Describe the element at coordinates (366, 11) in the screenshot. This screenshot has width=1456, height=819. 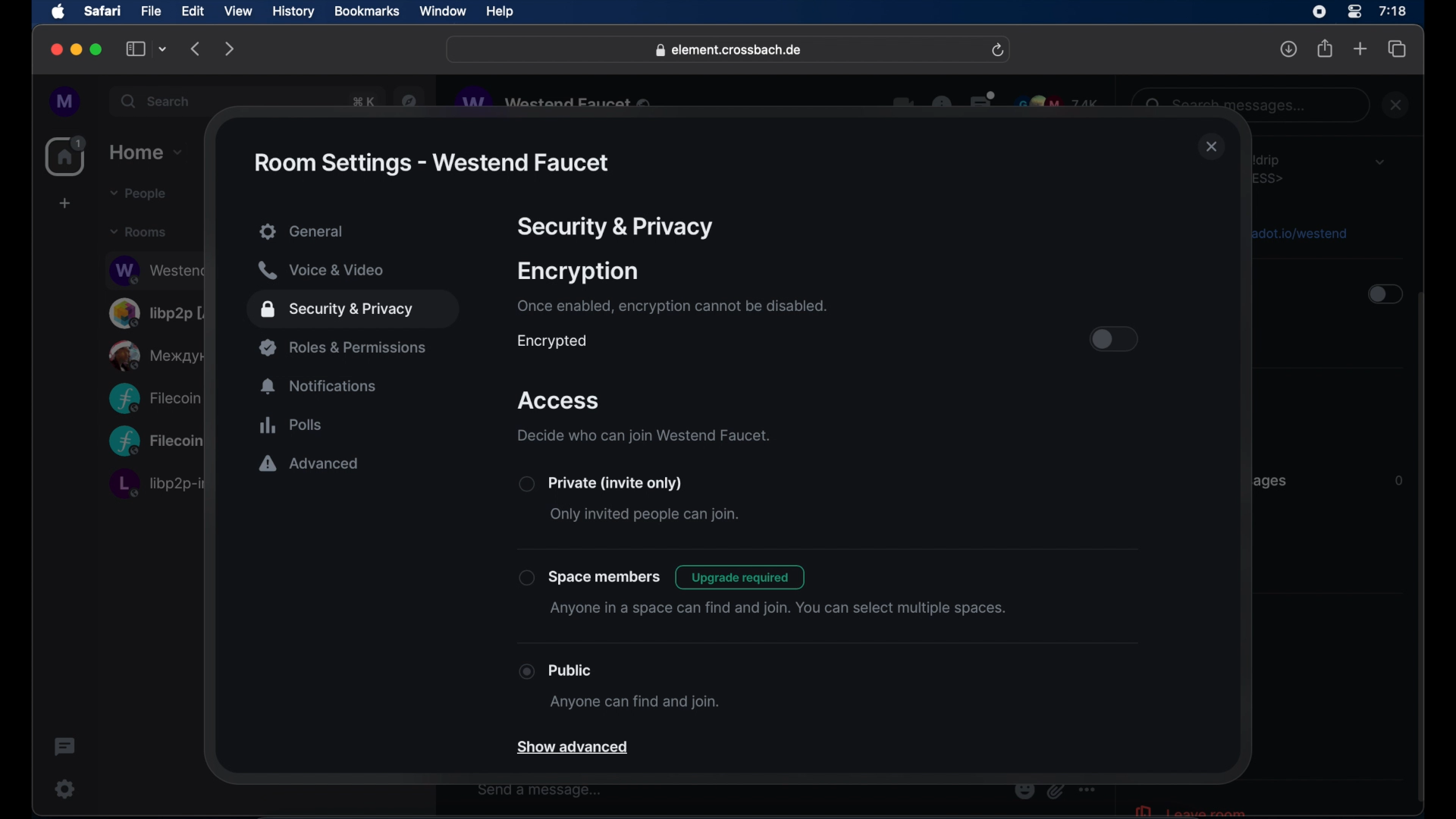
I see `bookmarks` at that location.